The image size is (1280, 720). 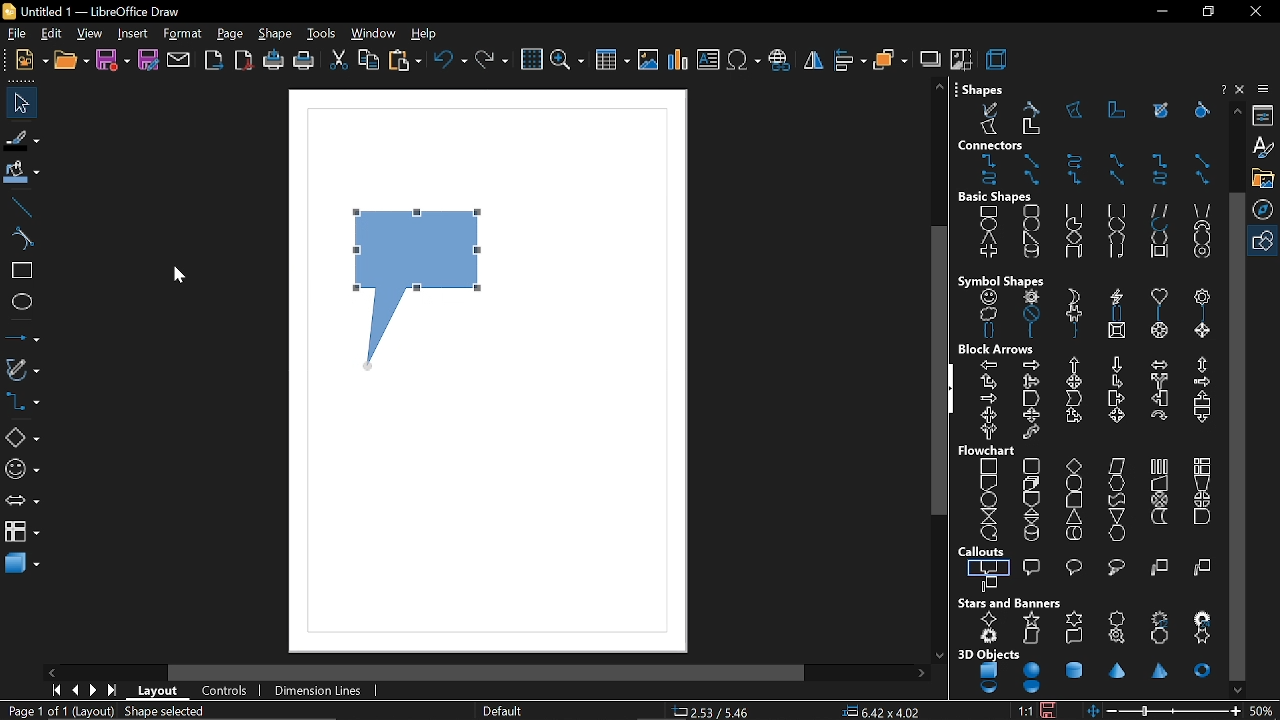 I want to click on flowchart, so click(x=22, y=532).